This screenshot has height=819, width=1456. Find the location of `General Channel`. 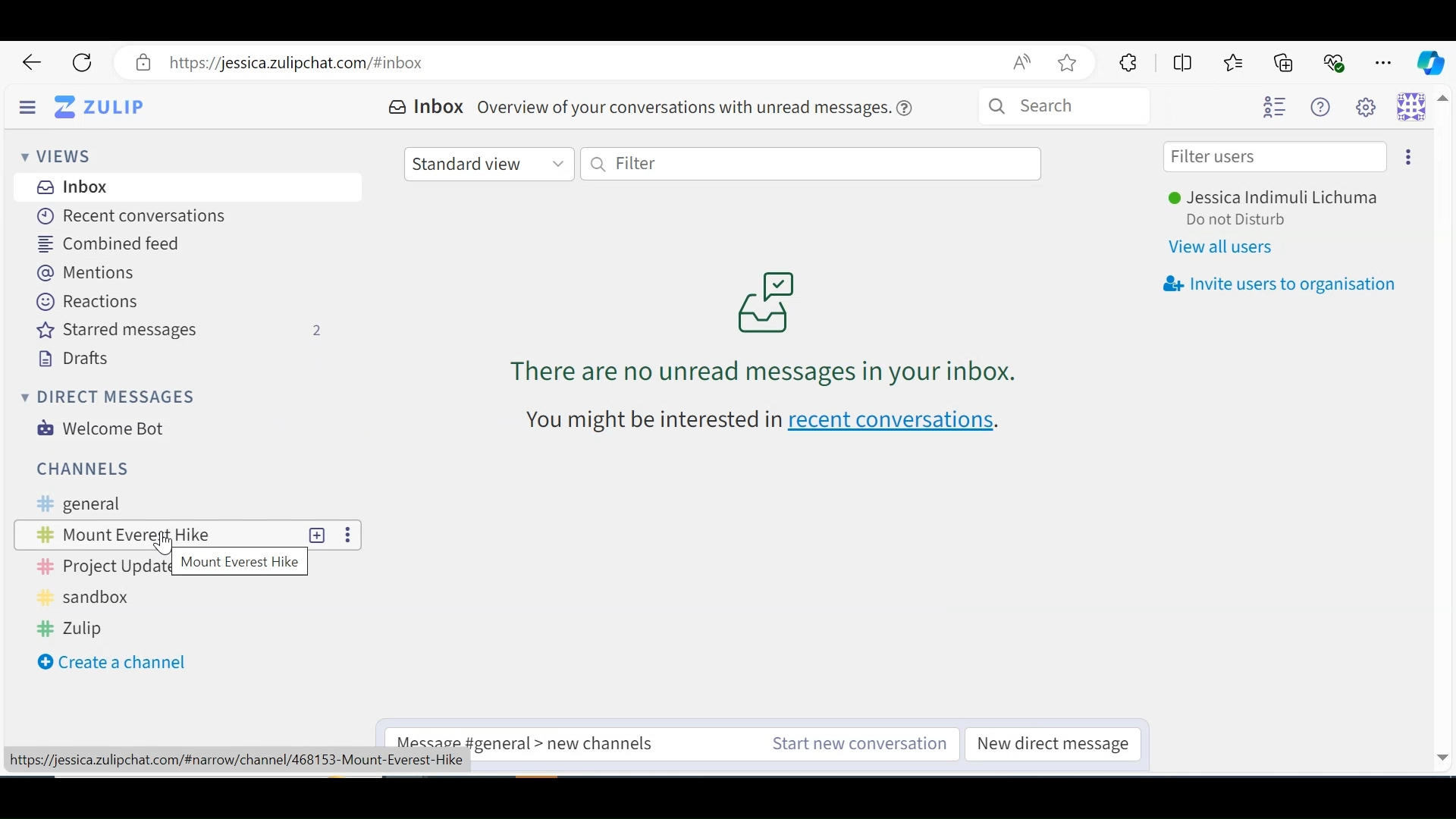

General Channel is located at coordinates (176, 505).